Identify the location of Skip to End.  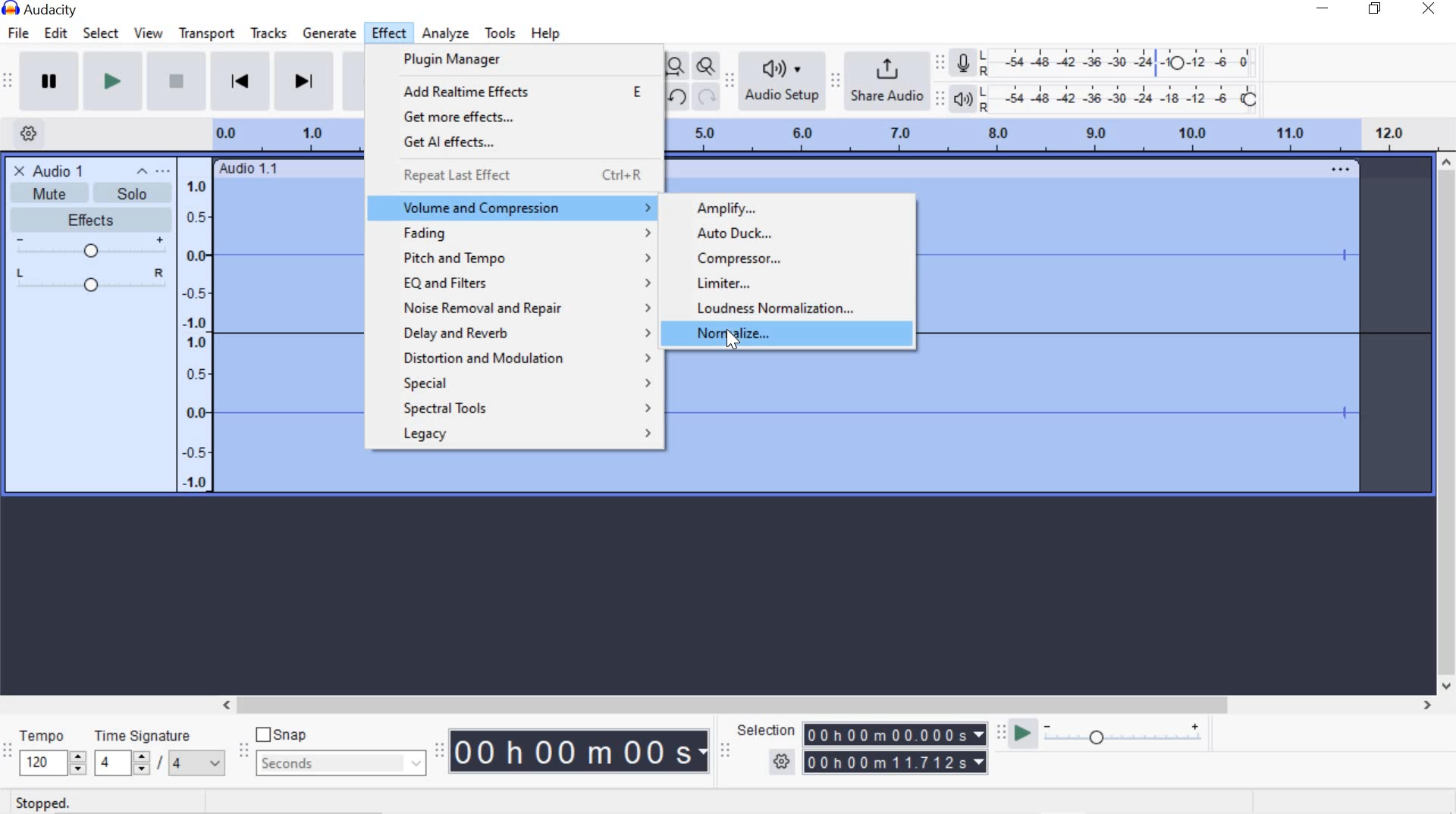
(306, 83).